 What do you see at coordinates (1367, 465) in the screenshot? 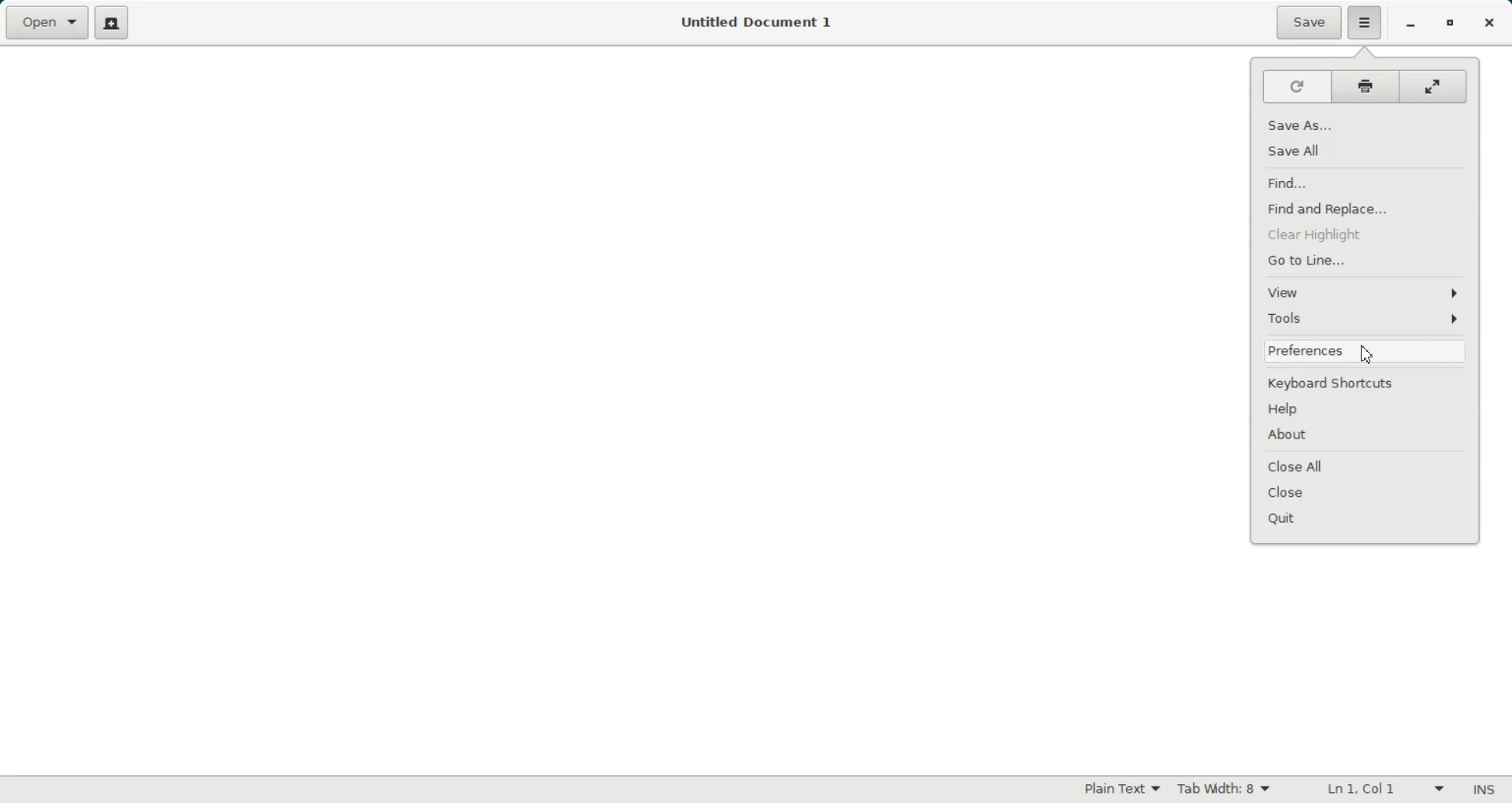
I see `Close All` at bounding box center [1367, 465].